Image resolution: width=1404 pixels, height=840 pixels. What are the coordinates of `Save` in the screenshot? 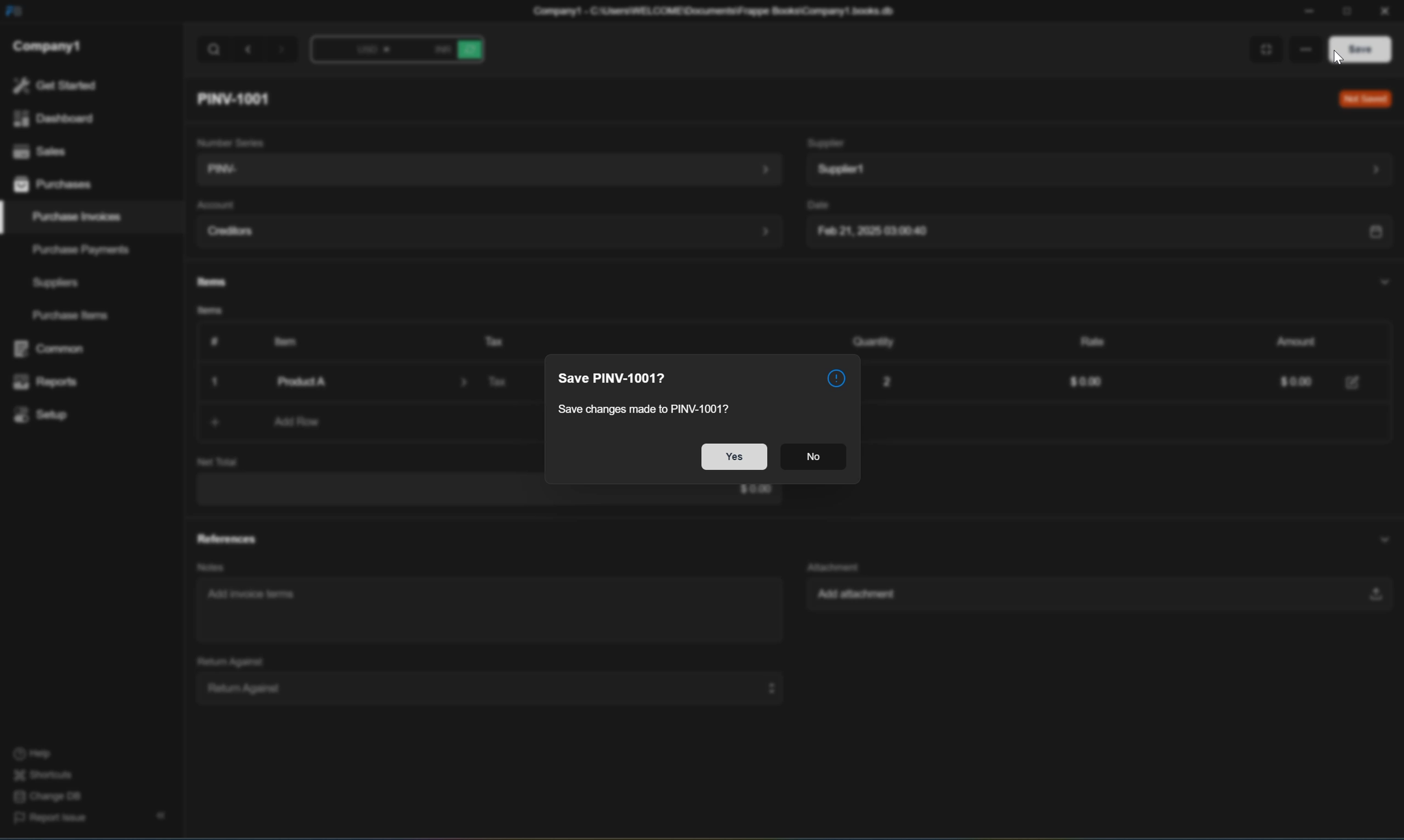 It's located at (1355, 48).